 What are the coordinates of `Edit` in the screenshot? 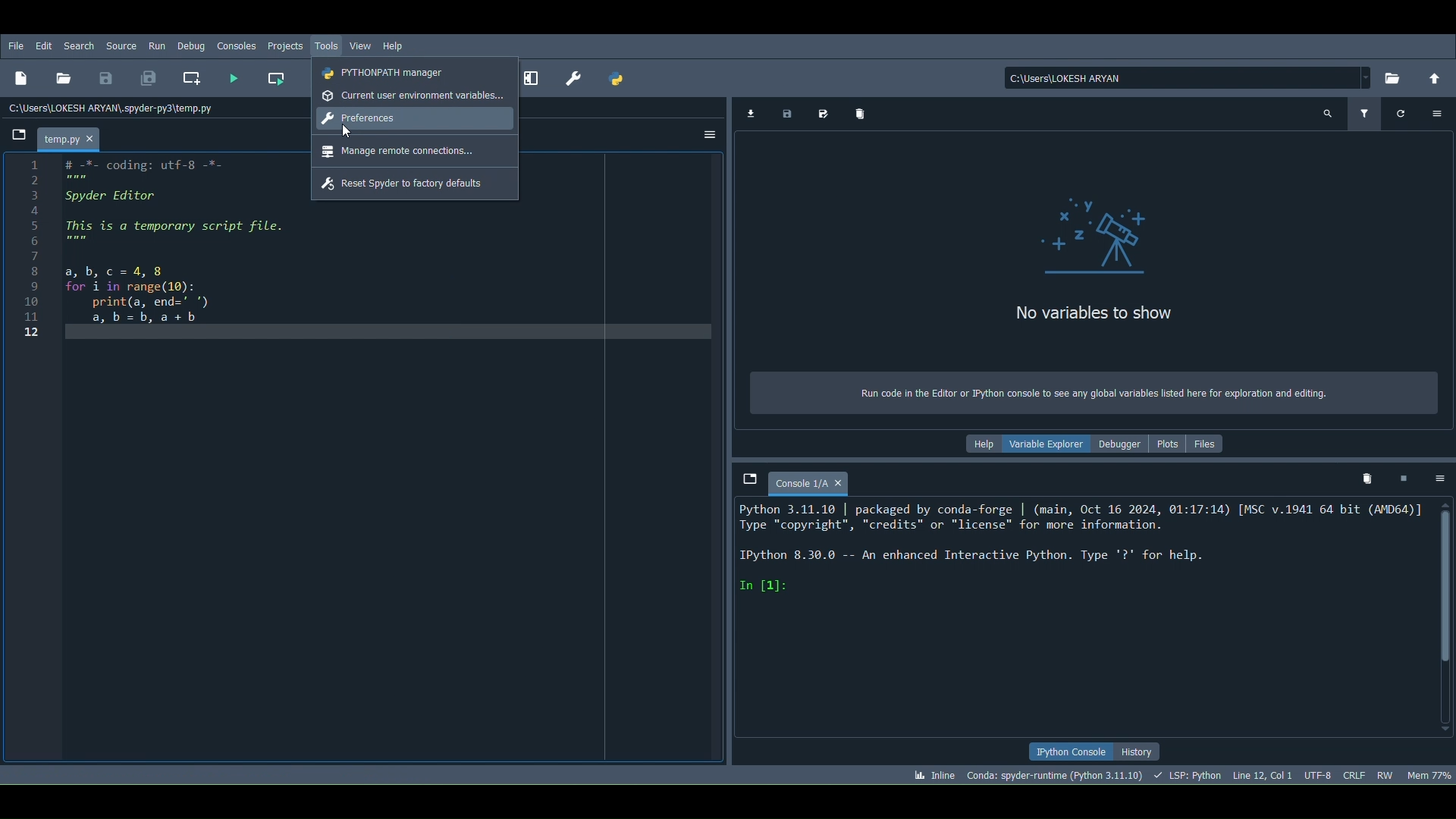 It's located at (42, 46).